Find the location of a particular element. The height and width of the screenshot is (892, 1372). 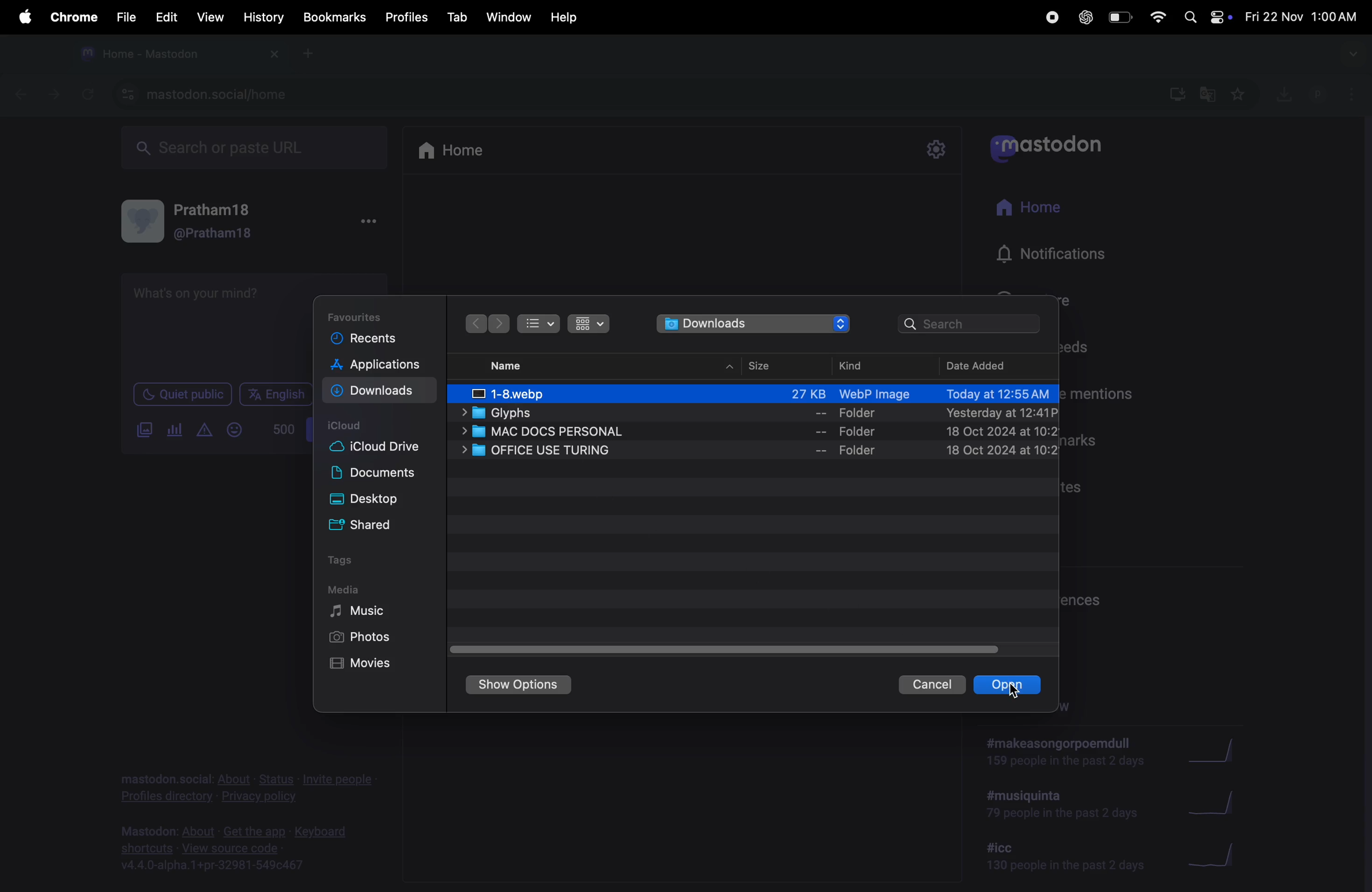

downloads is located at coordinates (380, 392).